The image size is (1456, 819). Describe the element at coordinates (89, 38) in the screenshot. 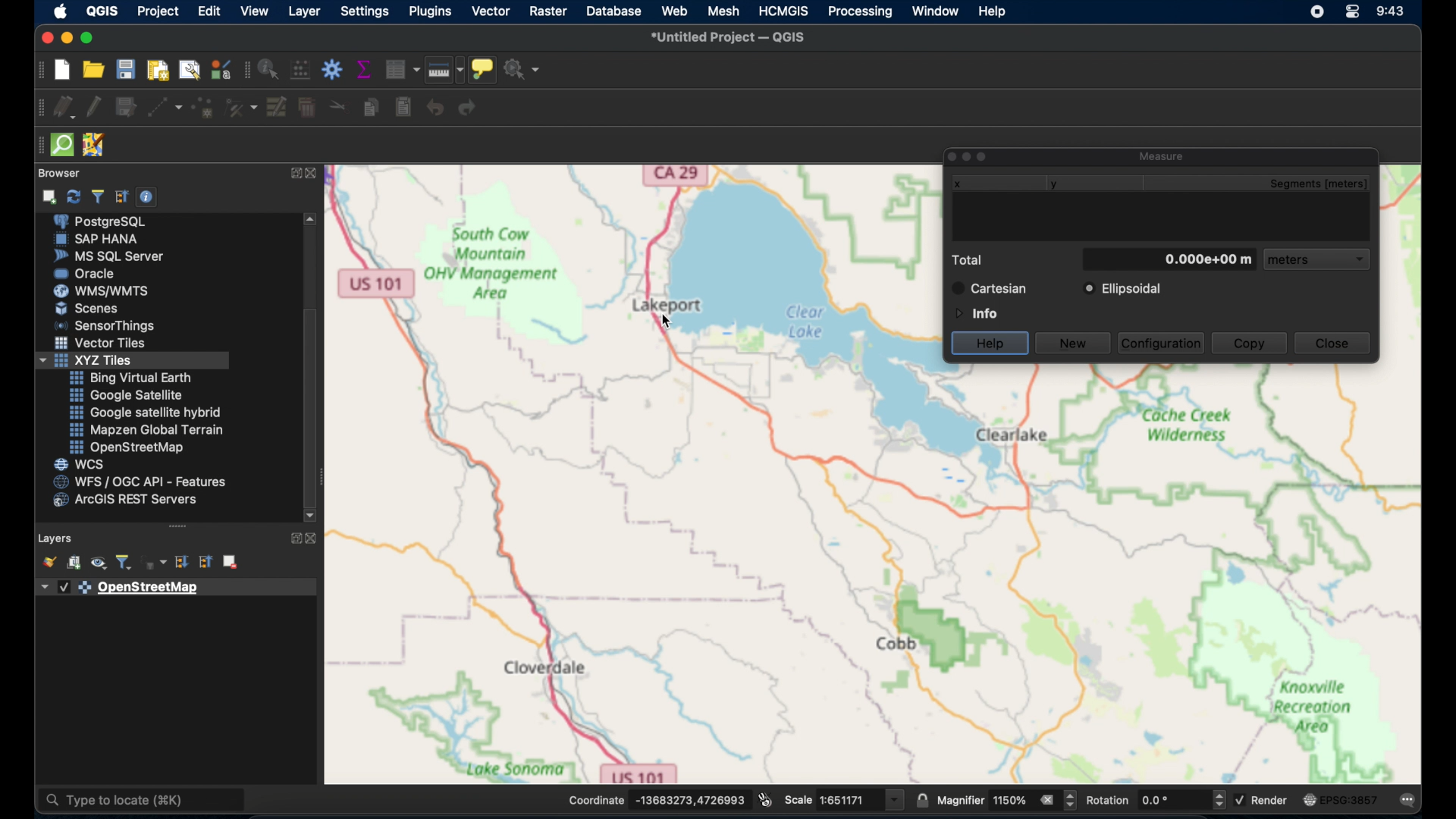

I see `maximize` at that location.